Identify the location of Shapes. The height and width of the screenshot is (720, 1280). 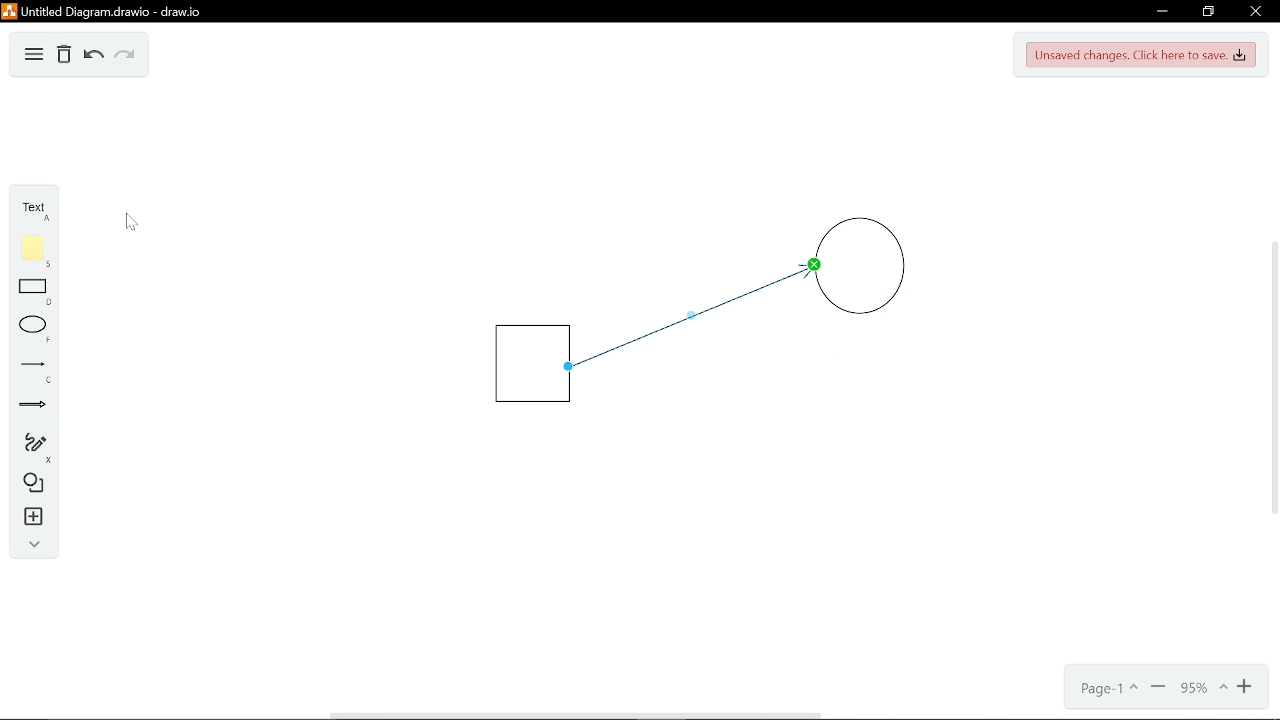
(26, 483).